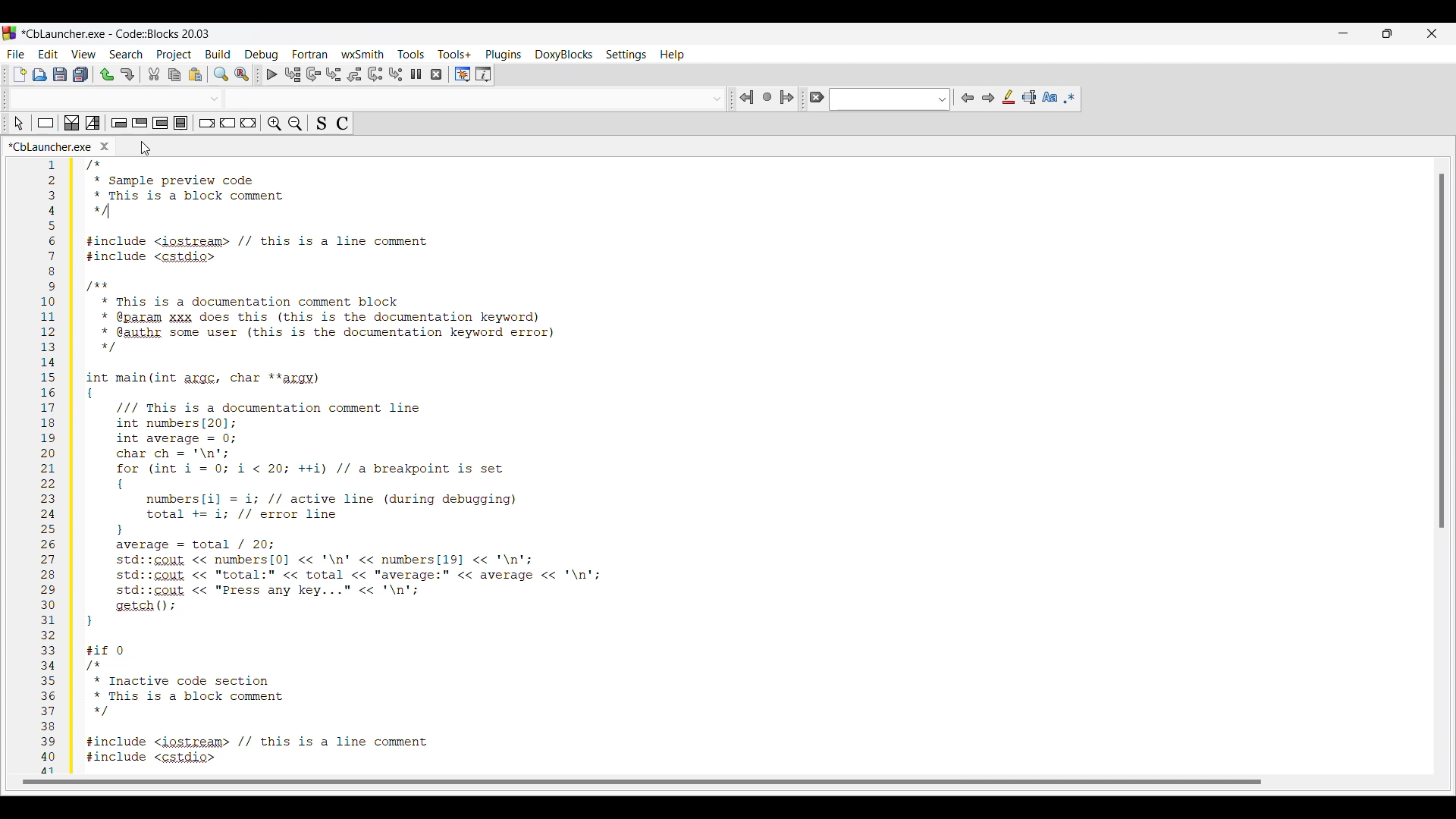 The width and height of the screenshot is (1456, 819). Describe the element at coordinates (221, 74) in the screenshot. I see `Find` at that location.